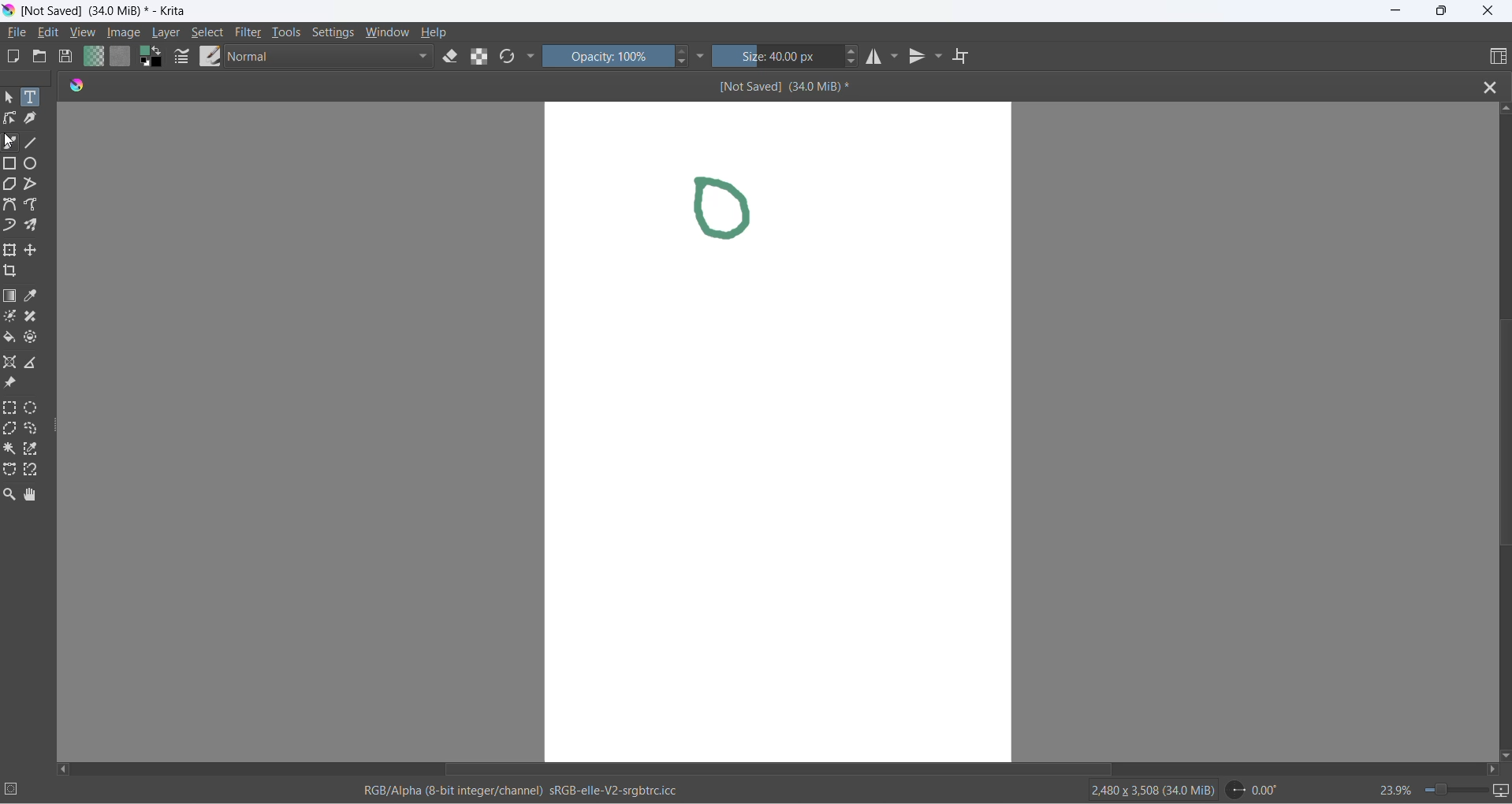  I want to click on more settings dropdown button, so click(533, 59).